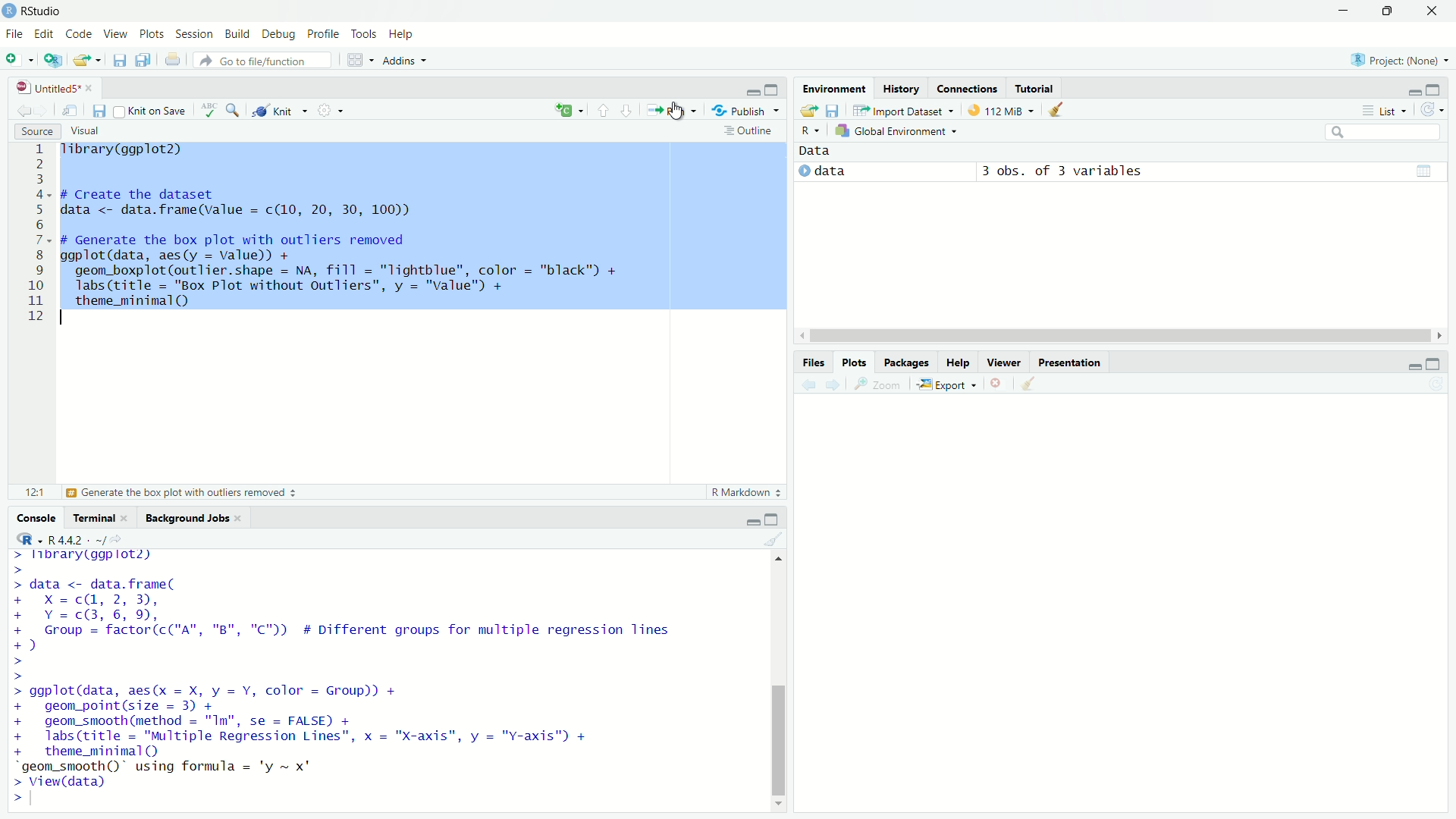 This screenshot has height=819, width=1456. I want to click on Project: (None), so click(1401, 61).